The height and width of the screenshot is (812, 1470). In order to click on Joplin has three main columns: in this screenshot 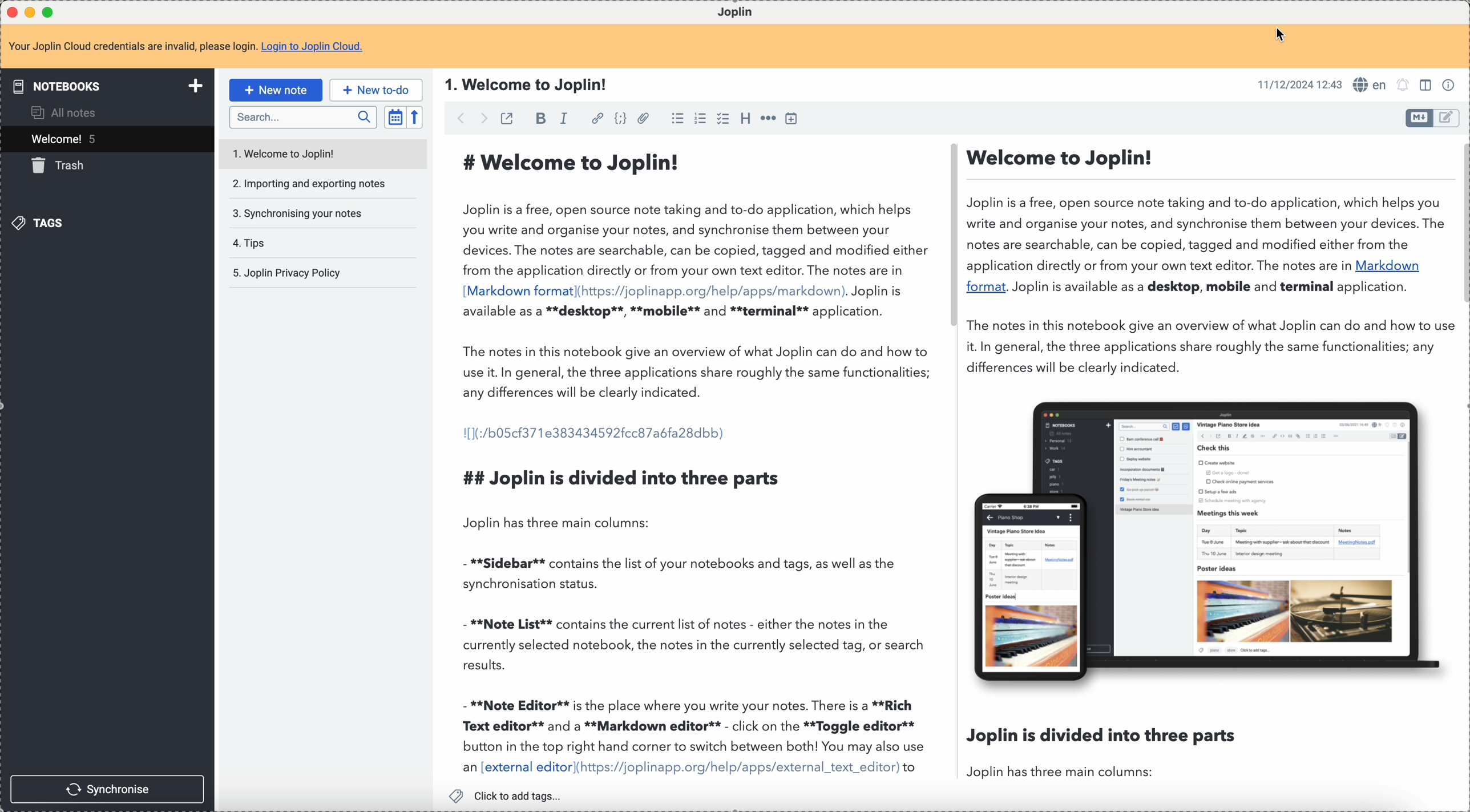, I will do `click(561, 523)`.